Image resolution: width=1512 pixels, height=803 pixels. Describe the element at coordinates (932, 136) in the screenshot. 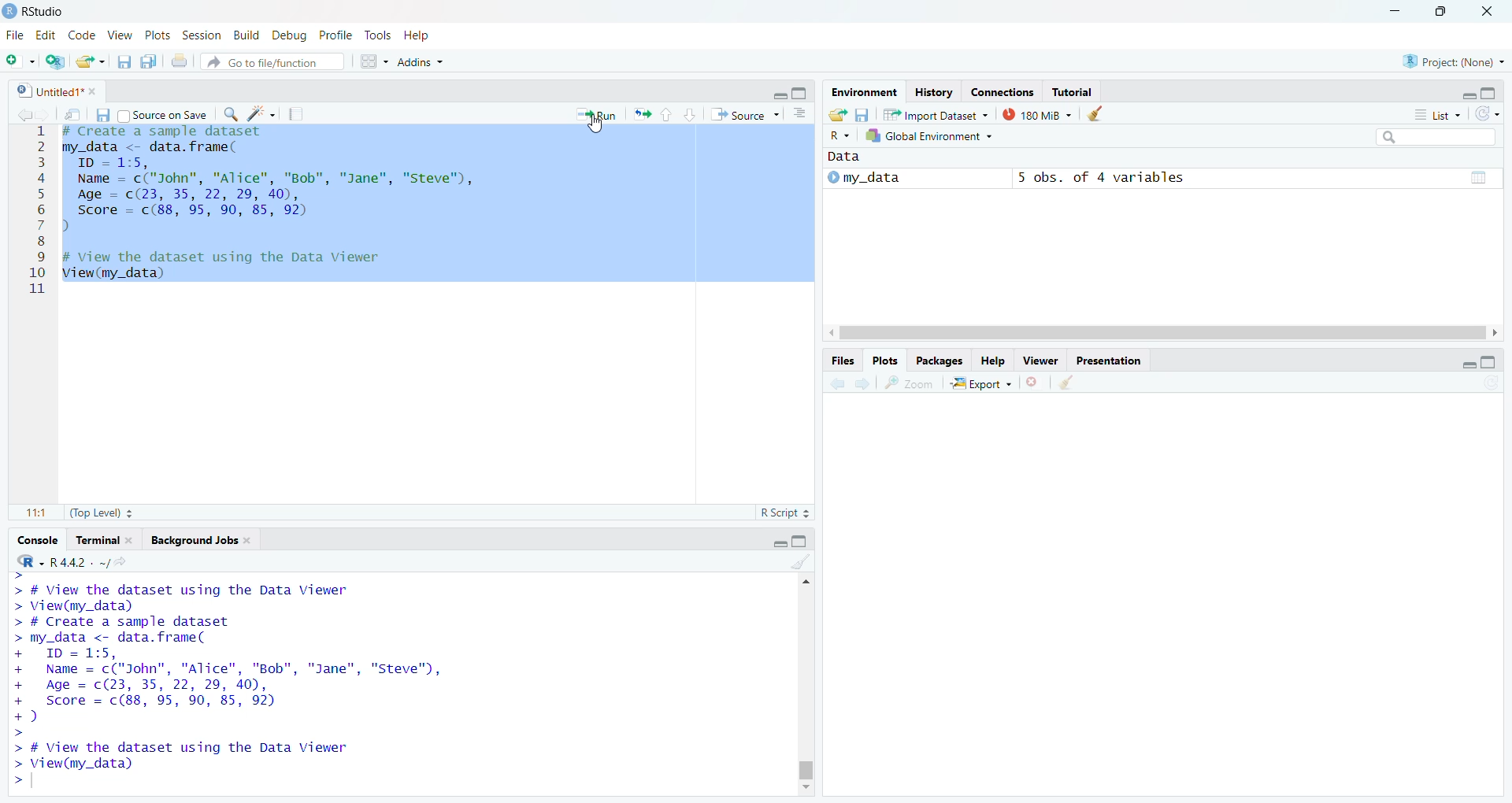

I see `Global Environment` at that location.